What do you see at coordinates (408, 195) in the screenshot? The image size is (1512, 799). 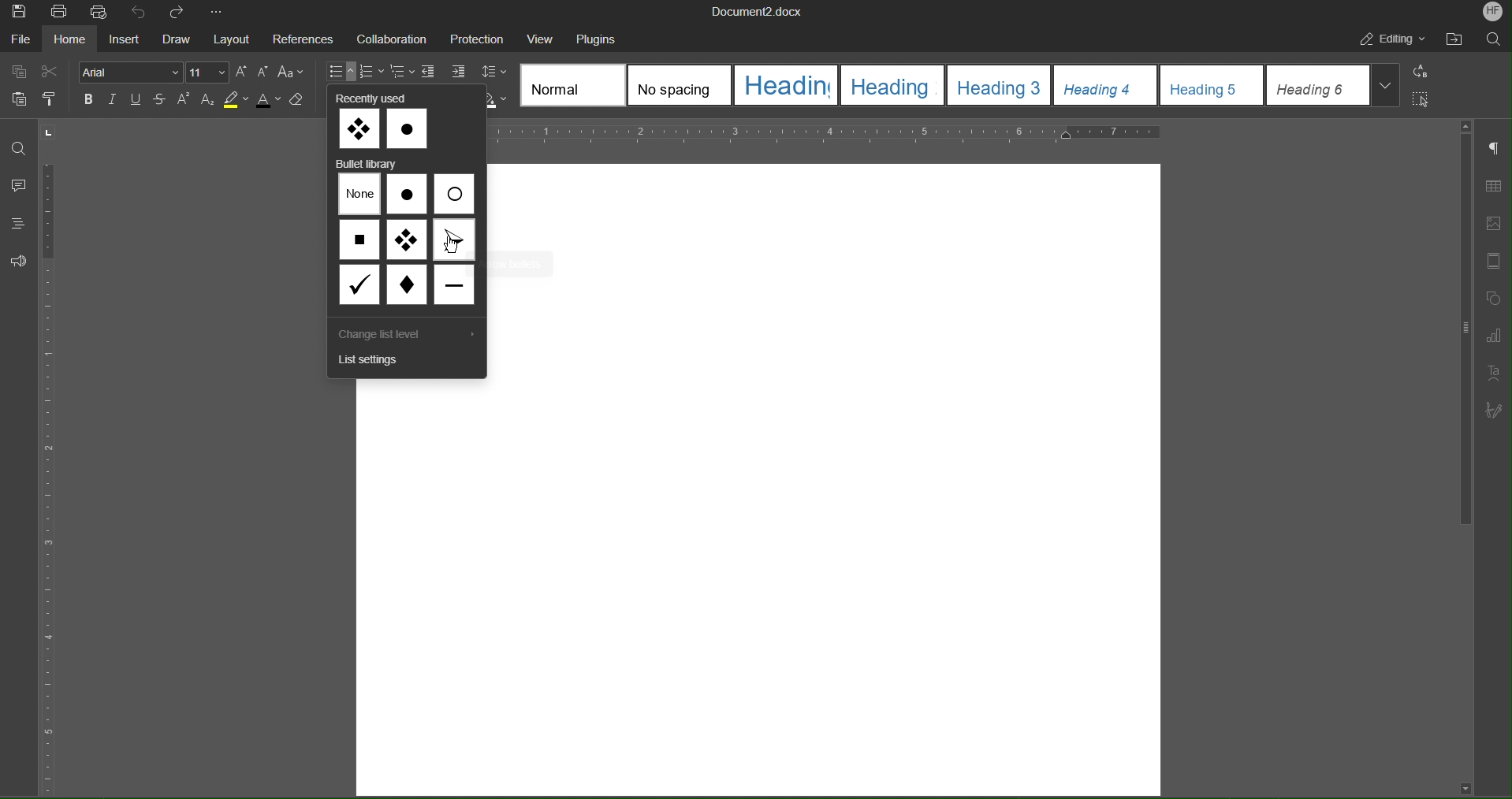 I see `Black Bullet` at bounding box center [408, 195].